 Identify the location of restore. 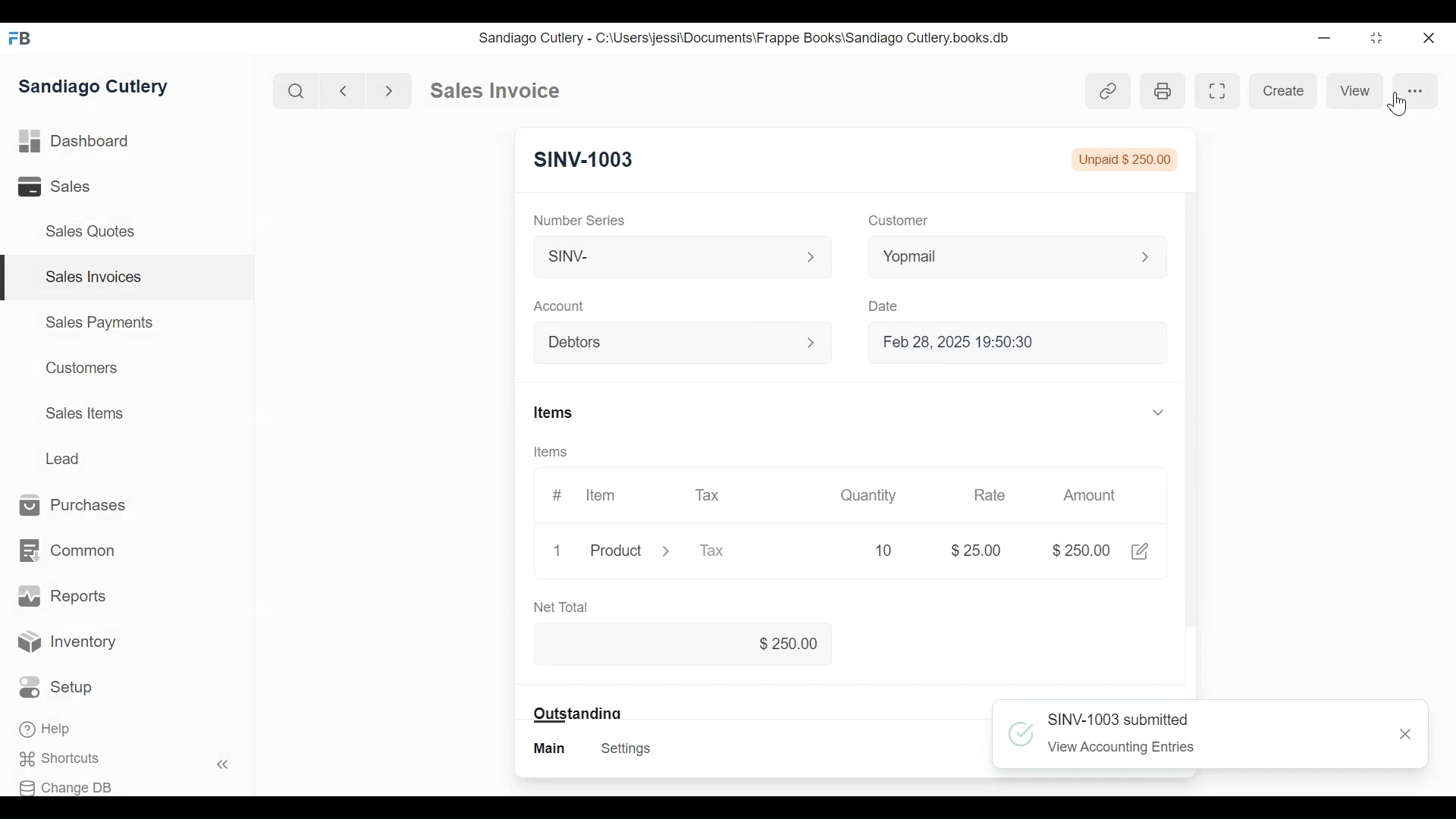
(1376, 37).